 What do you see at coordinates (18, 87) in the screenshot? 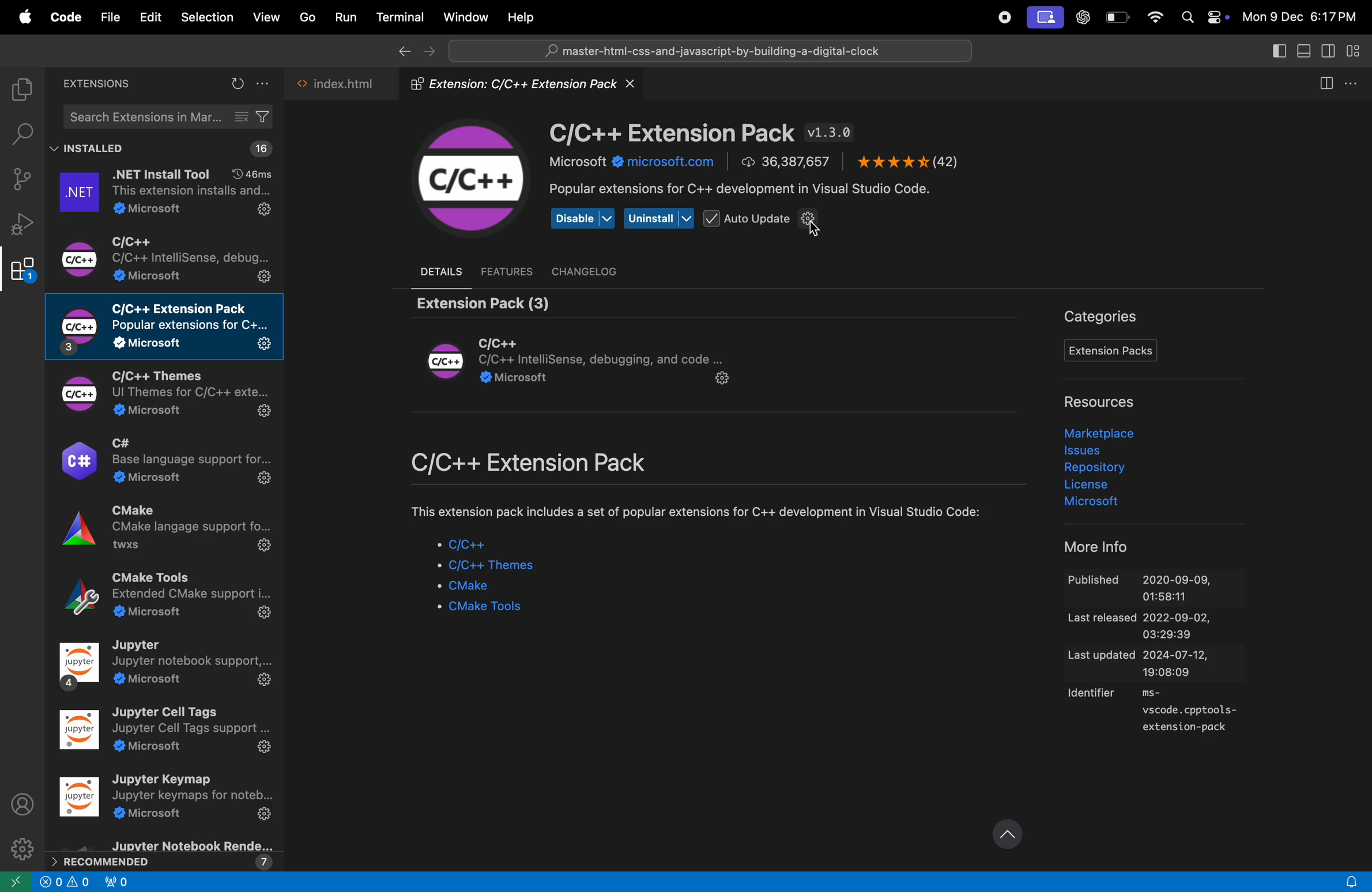
I see `explorer` at bounding box center [18, 87].